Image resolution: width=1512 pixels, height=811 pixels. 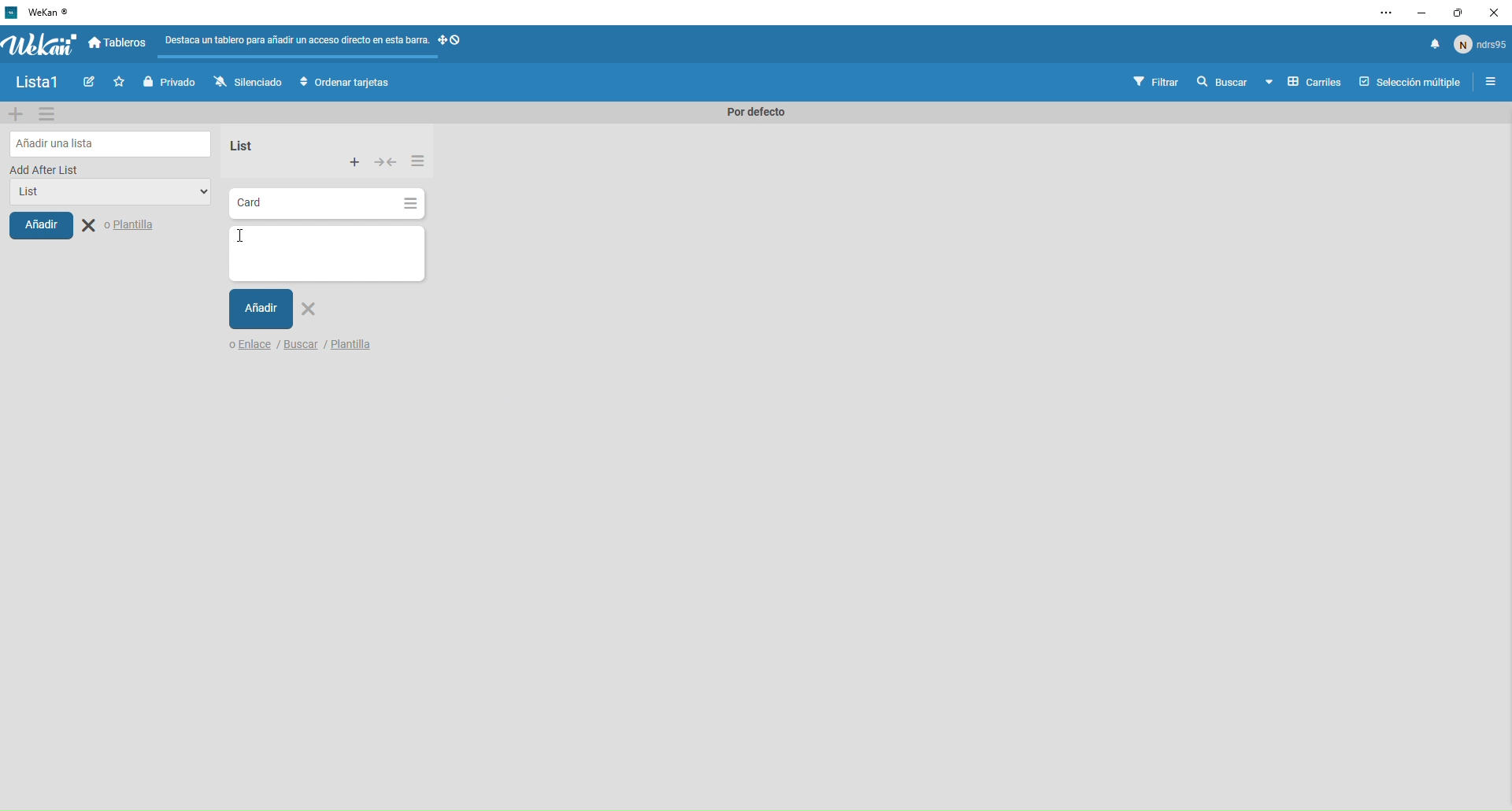 I want to click on Tag, so click(x=92, y=83).